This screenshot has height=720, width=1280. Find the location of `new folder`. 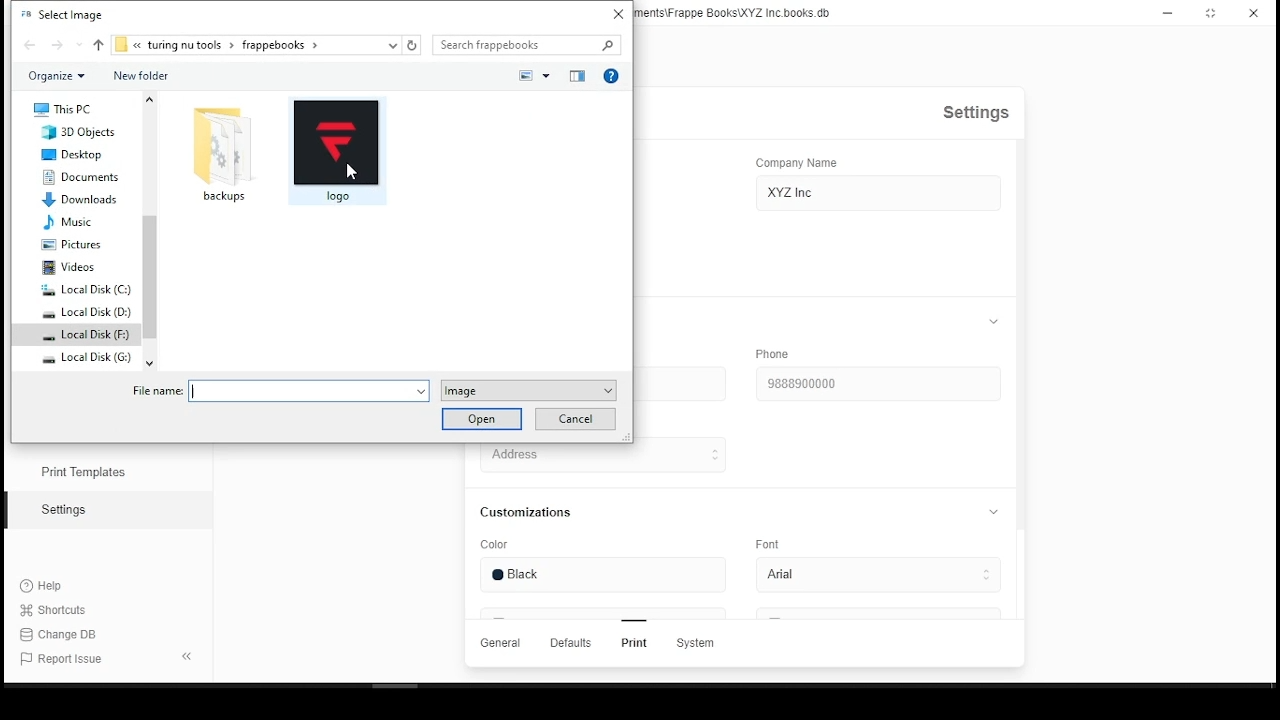

new folder is located at coordinates (142, 75).